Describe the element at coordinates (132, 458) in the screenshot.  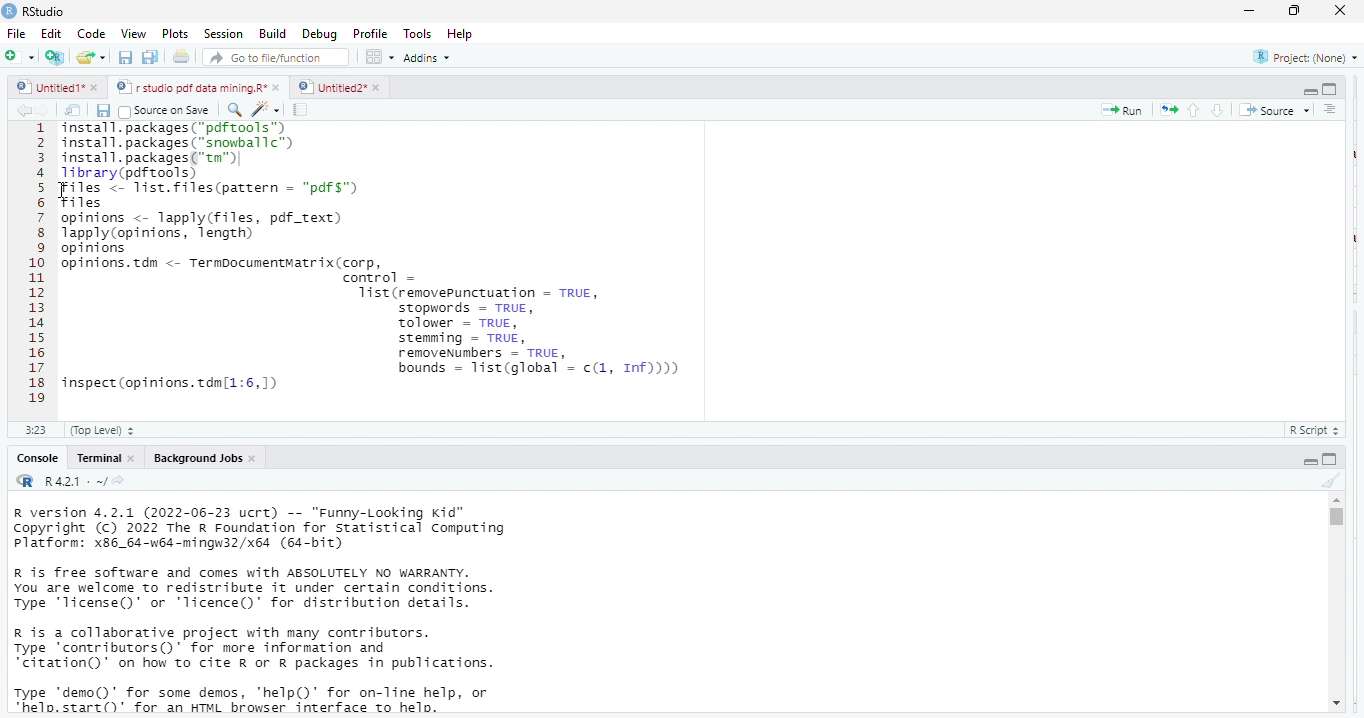
I see `close` at that location.